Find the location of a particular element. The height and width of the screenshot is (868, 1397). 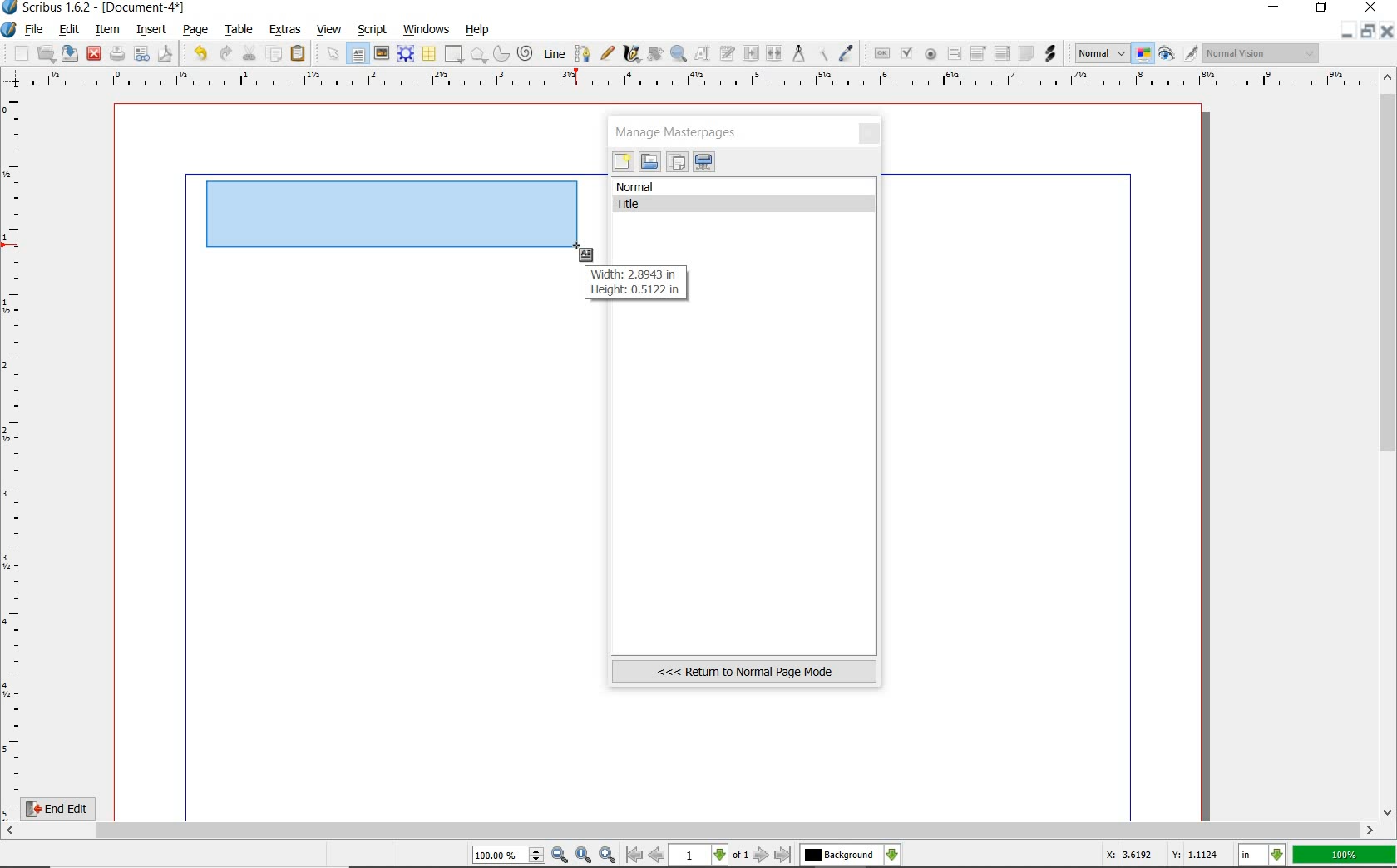

eye dropper is located at coordinates (847, 53).